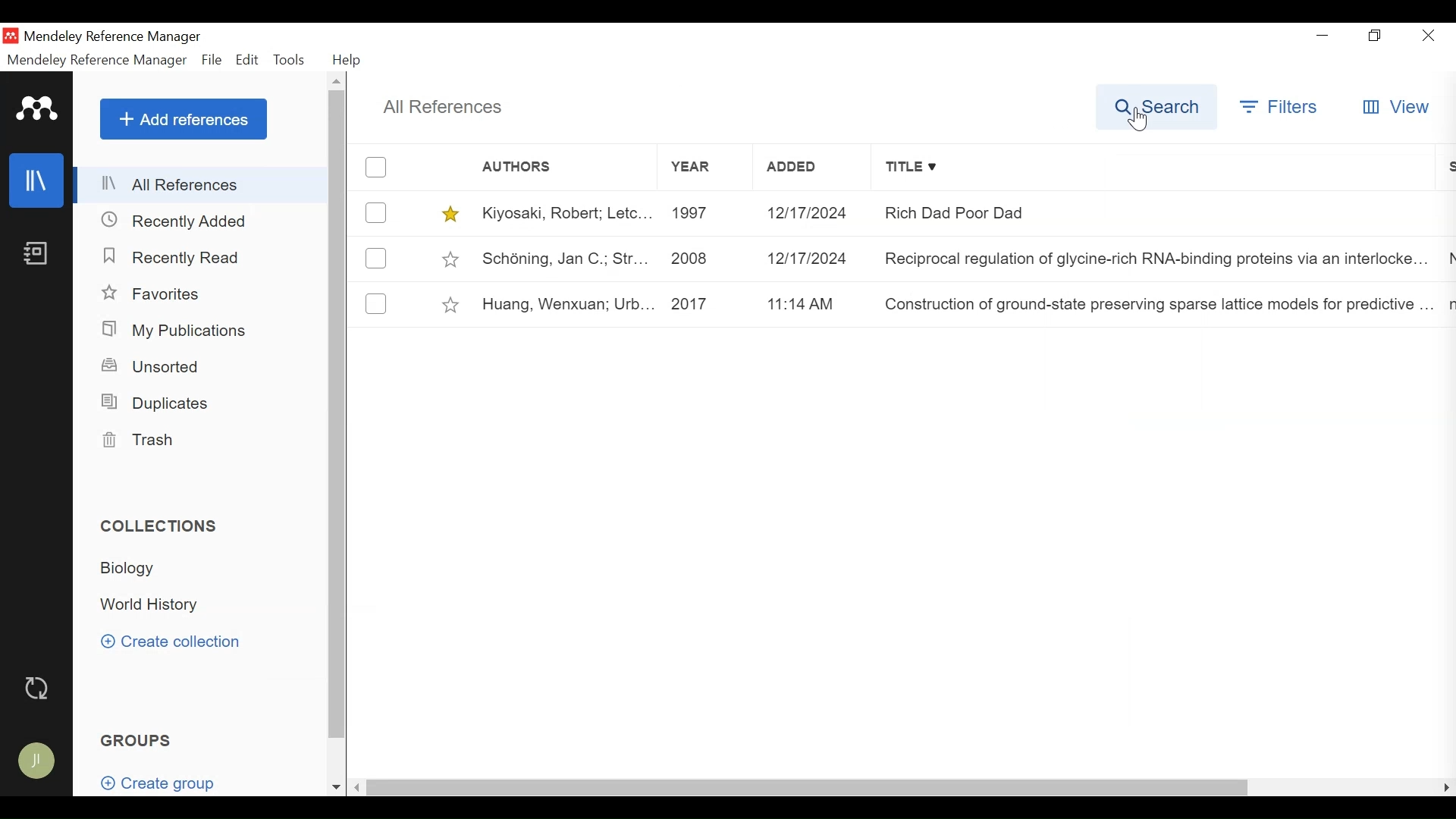  I want to click on Create Group, so click(156, 778).